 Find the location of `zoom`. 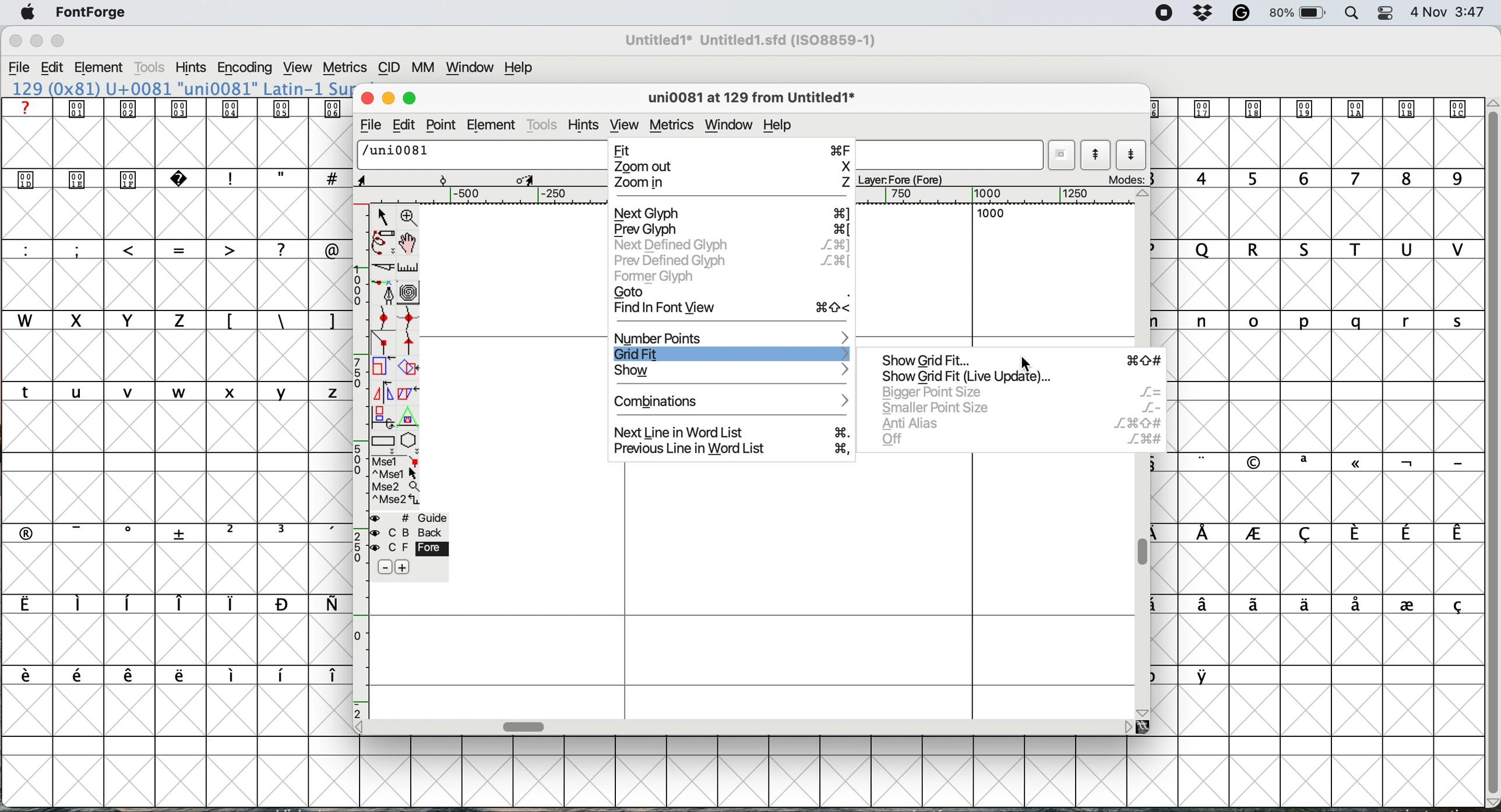

zoom is located at coordinates (412, 217).